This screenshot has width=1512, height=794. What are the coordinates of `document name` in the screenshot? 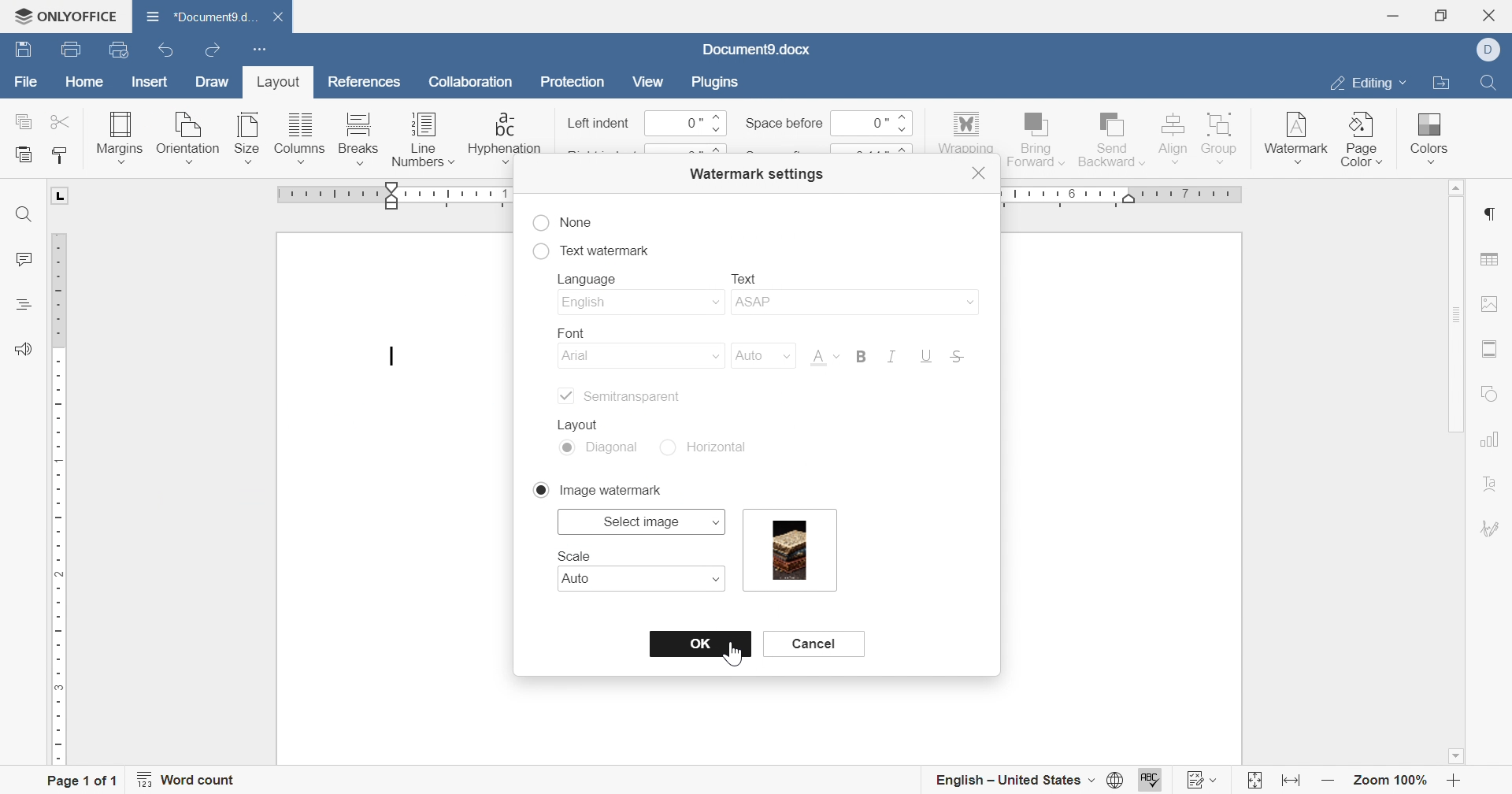 It's located at (755, 50).